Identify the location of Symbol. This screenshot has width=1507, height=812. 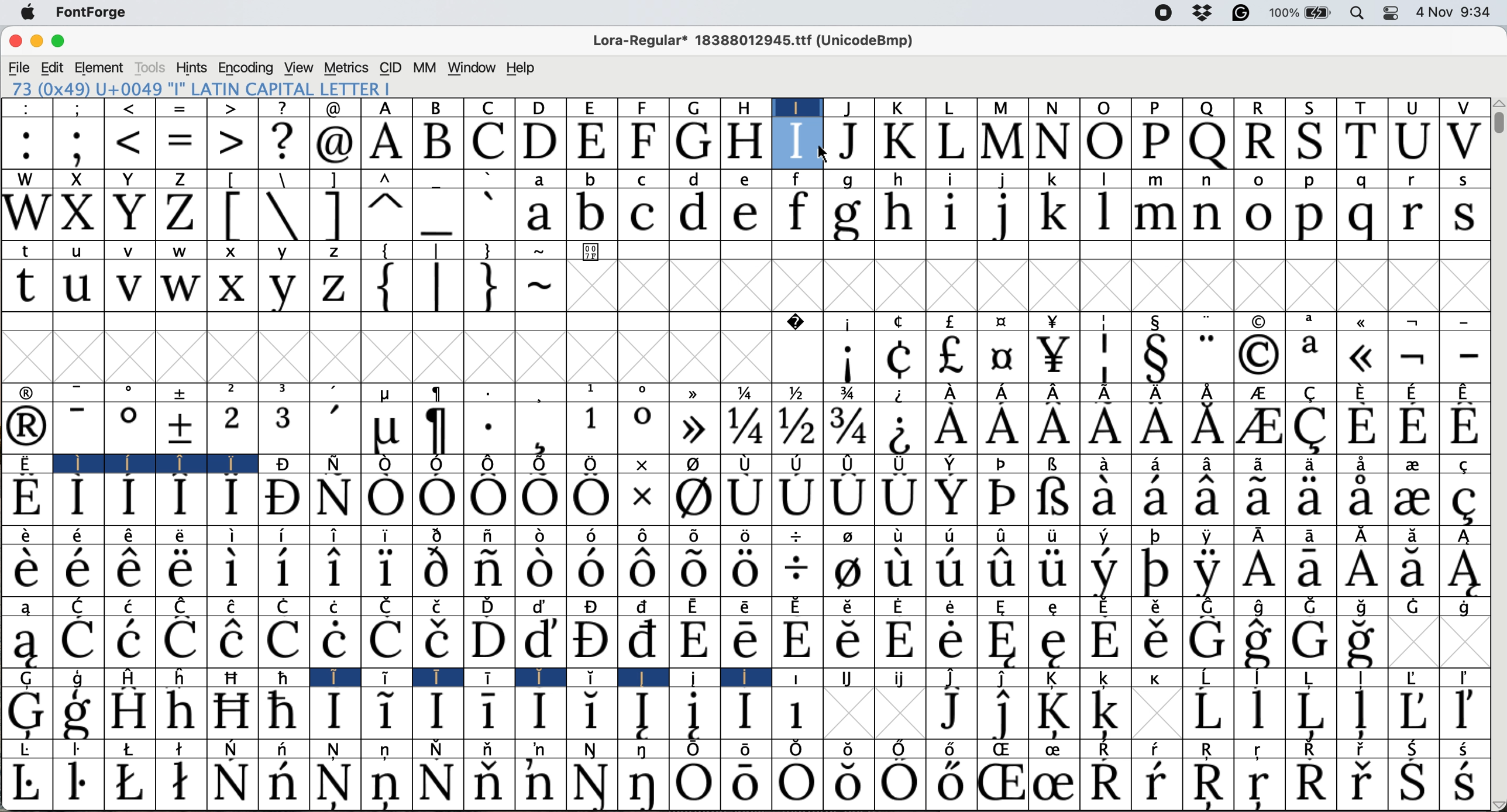
(438, 784).